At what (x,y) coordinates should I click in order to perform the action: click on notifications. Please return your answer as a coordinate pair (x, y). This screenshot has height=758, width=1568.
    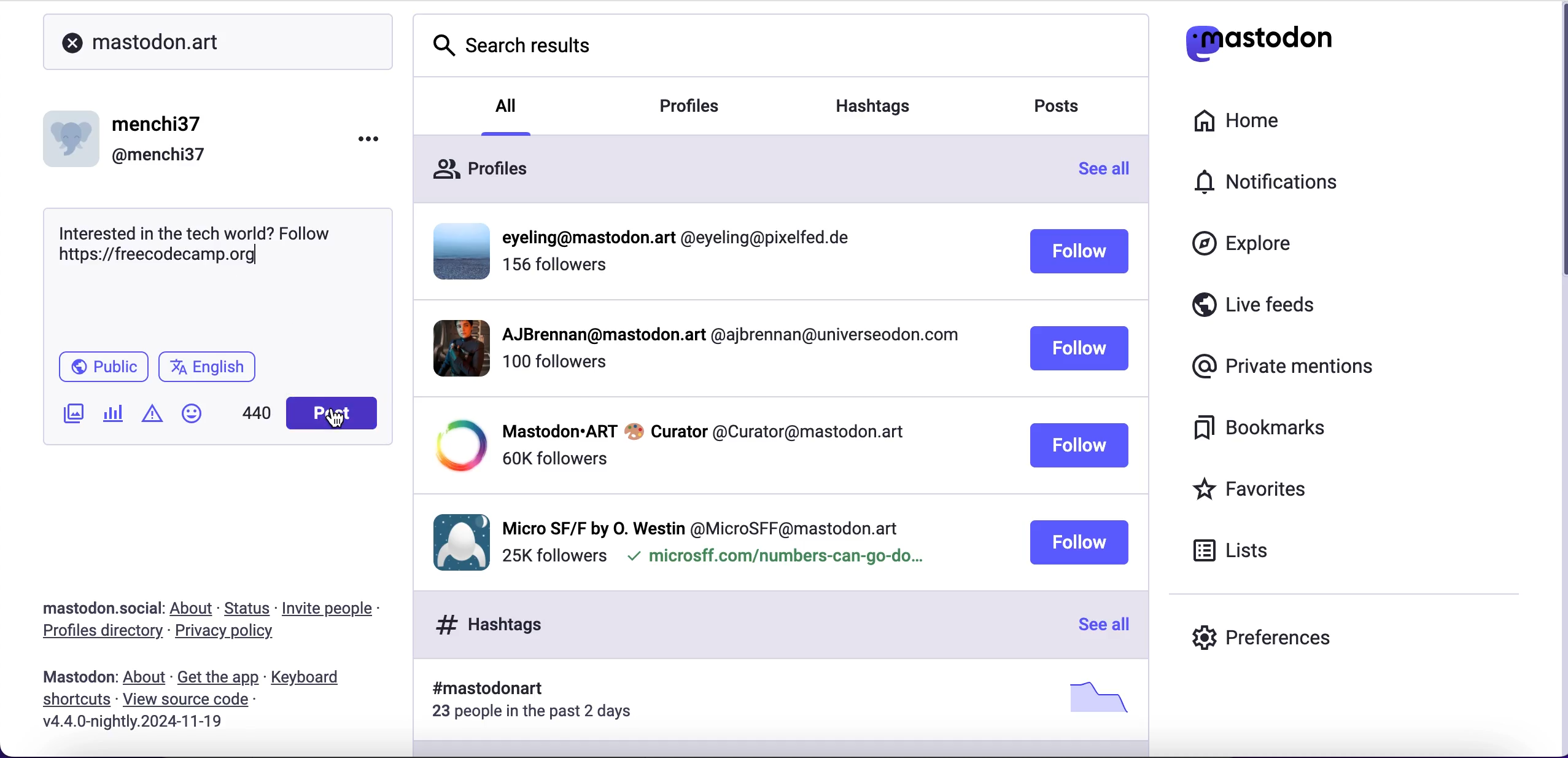
    Looking at the image, I should click on (1256, 185).